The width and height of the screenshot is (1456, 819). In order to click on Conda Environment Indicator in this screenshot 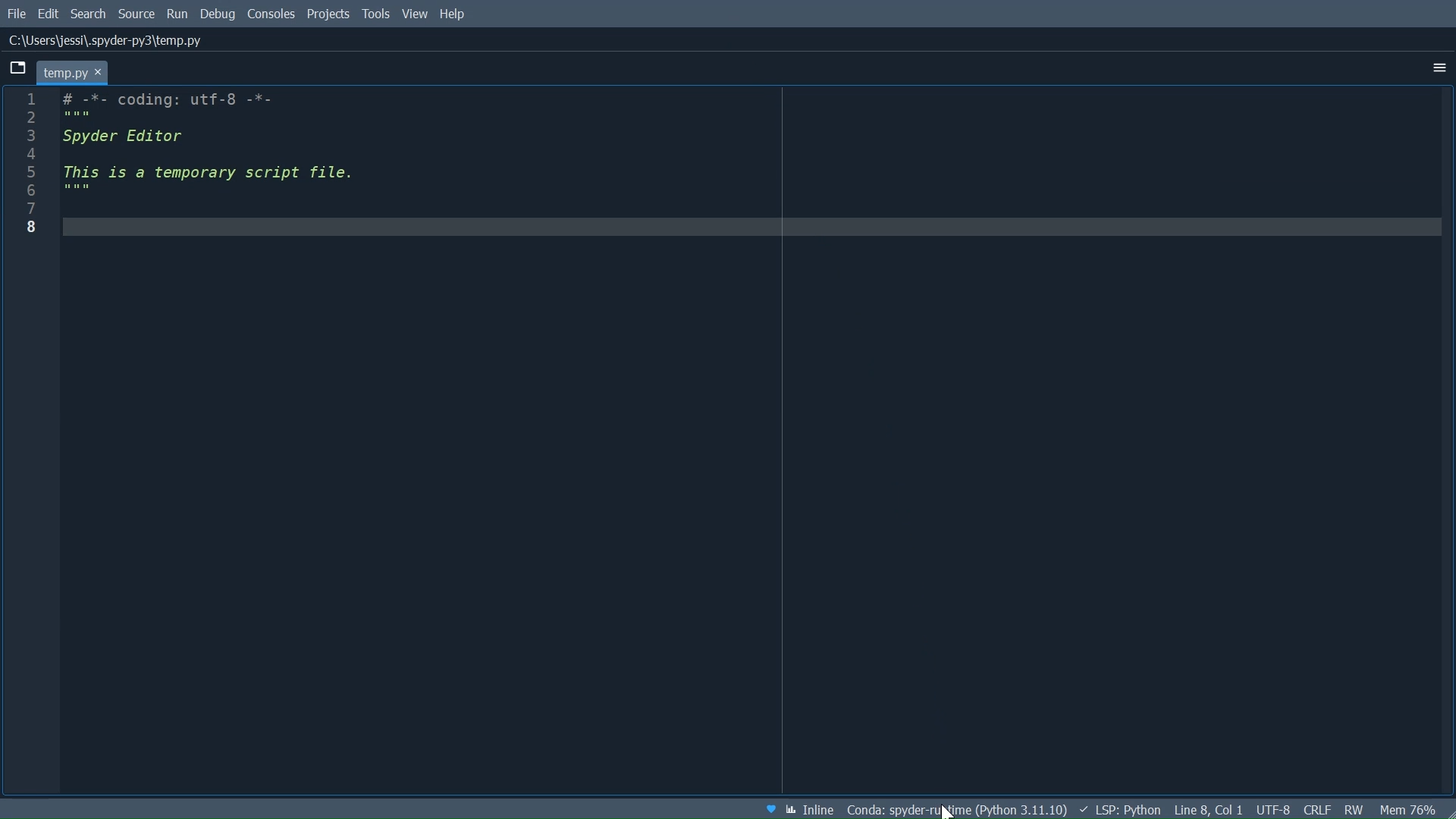, I will do `click(957, 810)`.